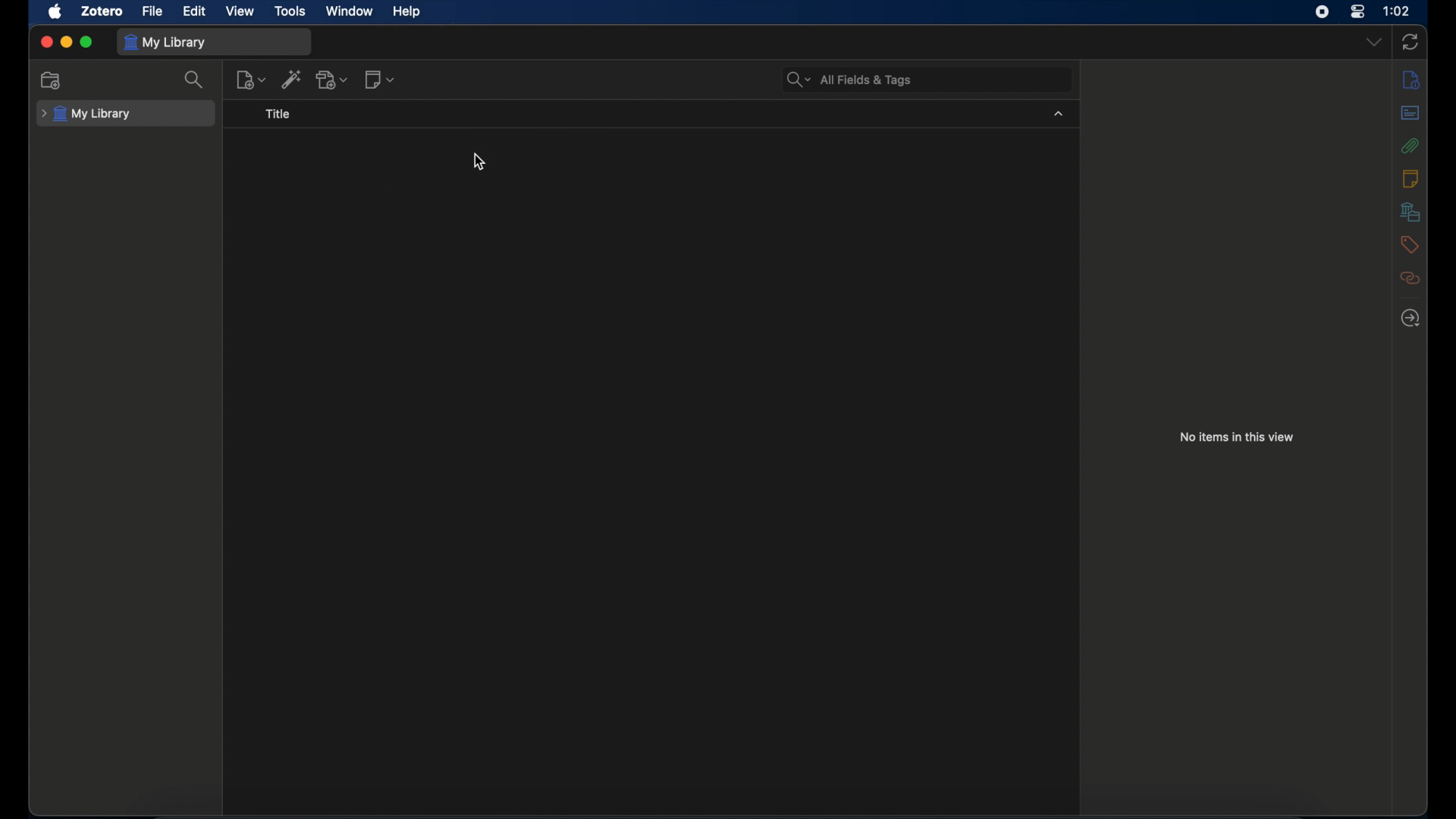 This screenshot has width=1456, height=819. What do you see at coordinates (195, 11) in the screenshot?
I see `edit` at bounding box center [195, 11].